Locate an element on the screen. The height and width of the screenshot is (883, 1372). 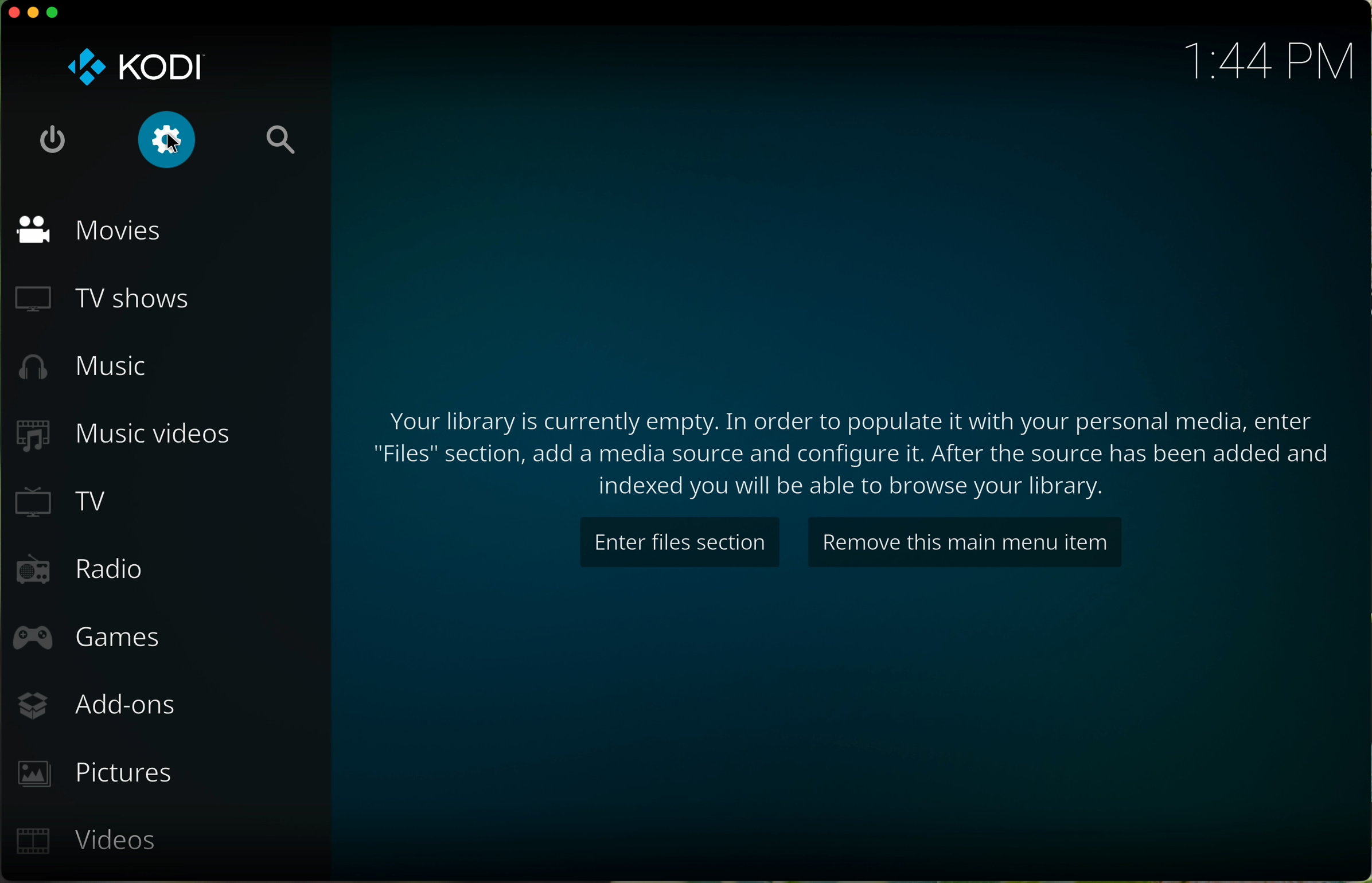
search is located at coordinates (279, 144).